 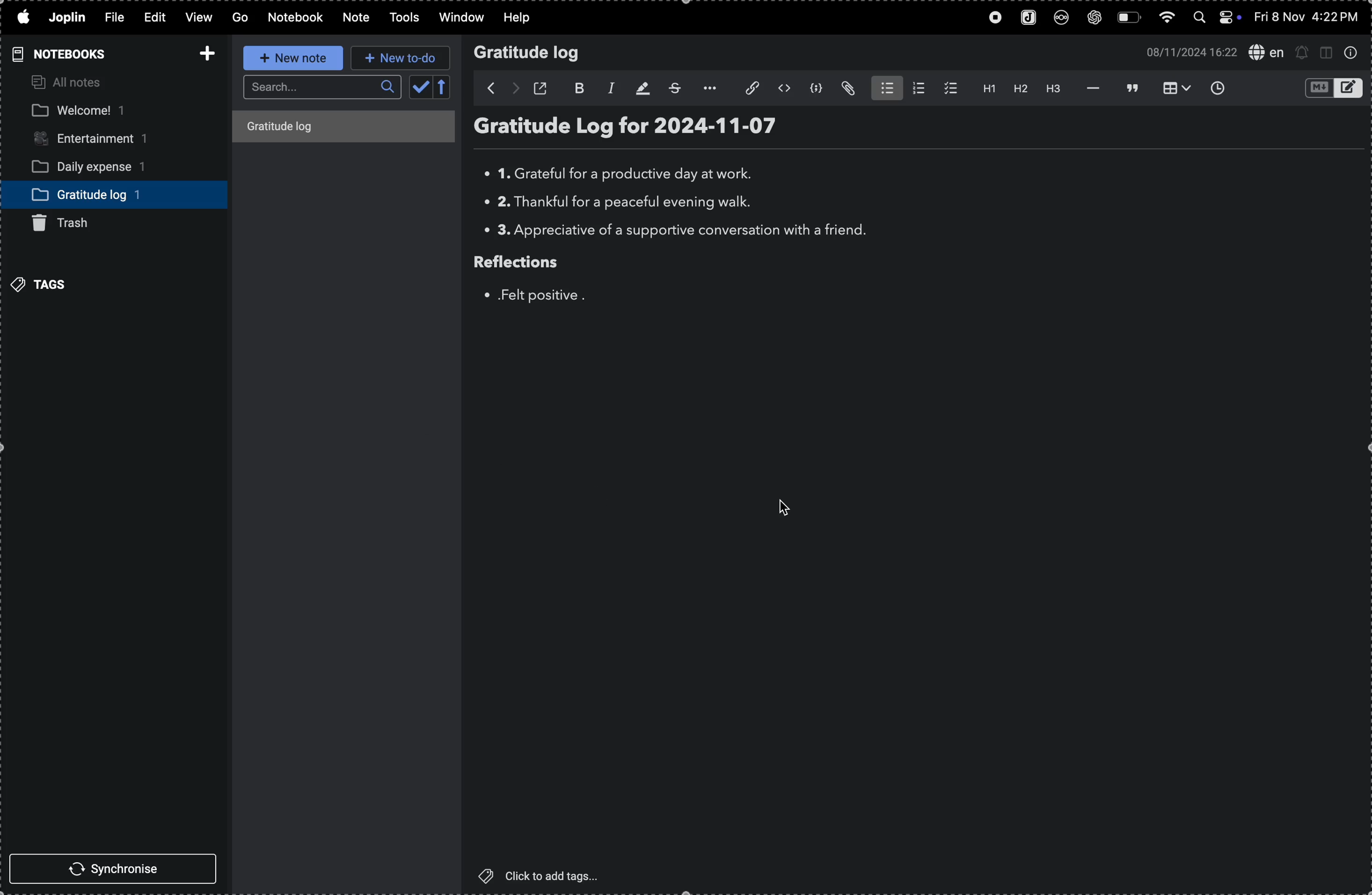 I want to click on joplin menu, so click(x=66, y=18).